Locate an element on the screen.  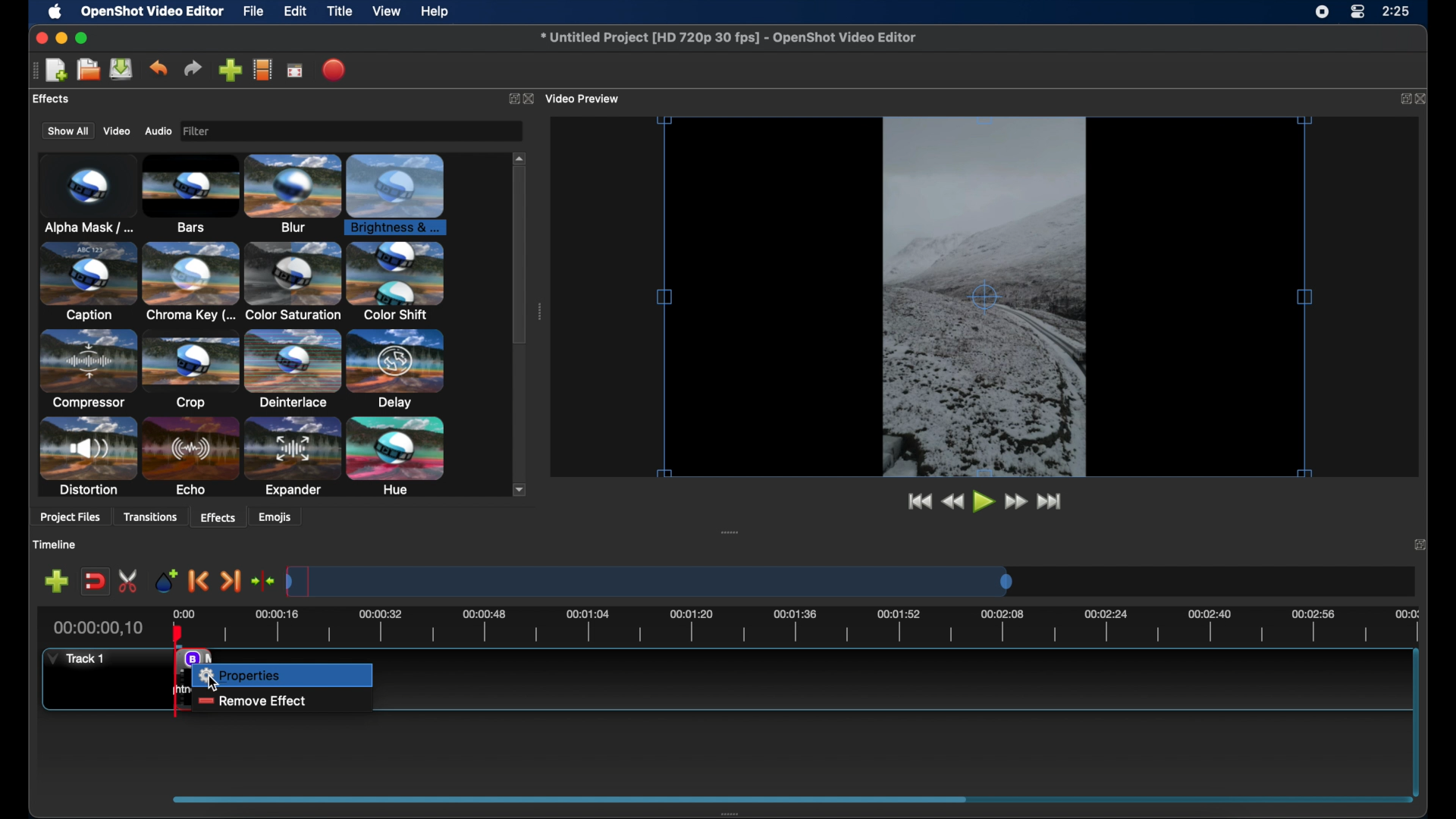
expand is located at coordinates (1403, 99).